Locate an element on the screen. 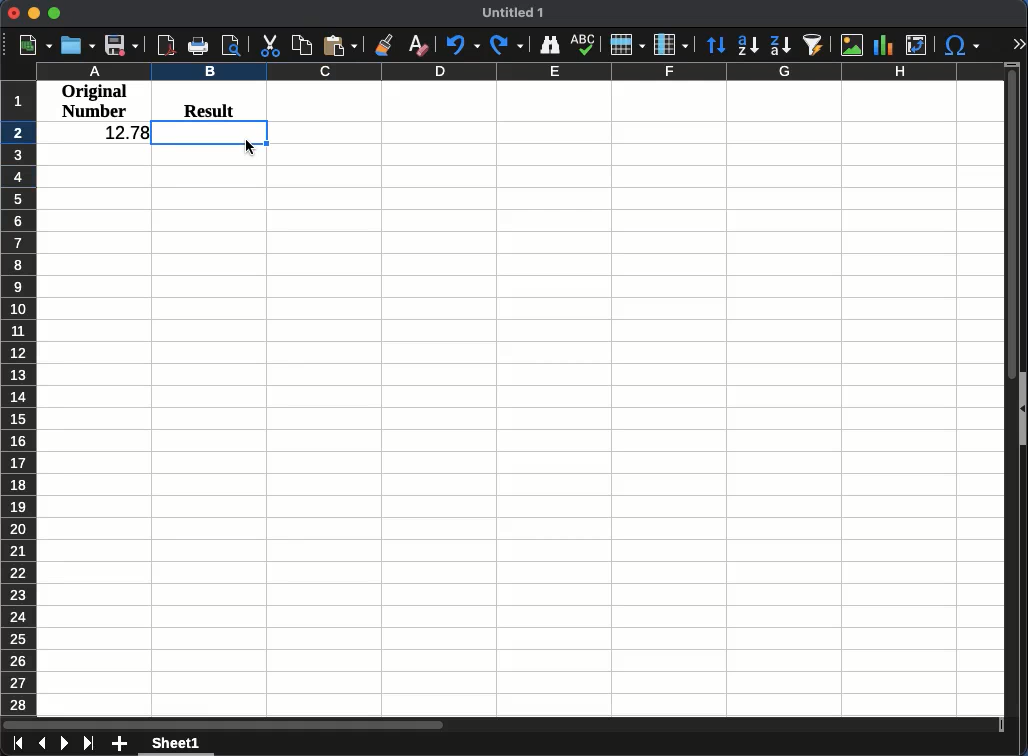 The height and width of the screenshot is (756, 1028). print preview is located at coordinates (233, 47).